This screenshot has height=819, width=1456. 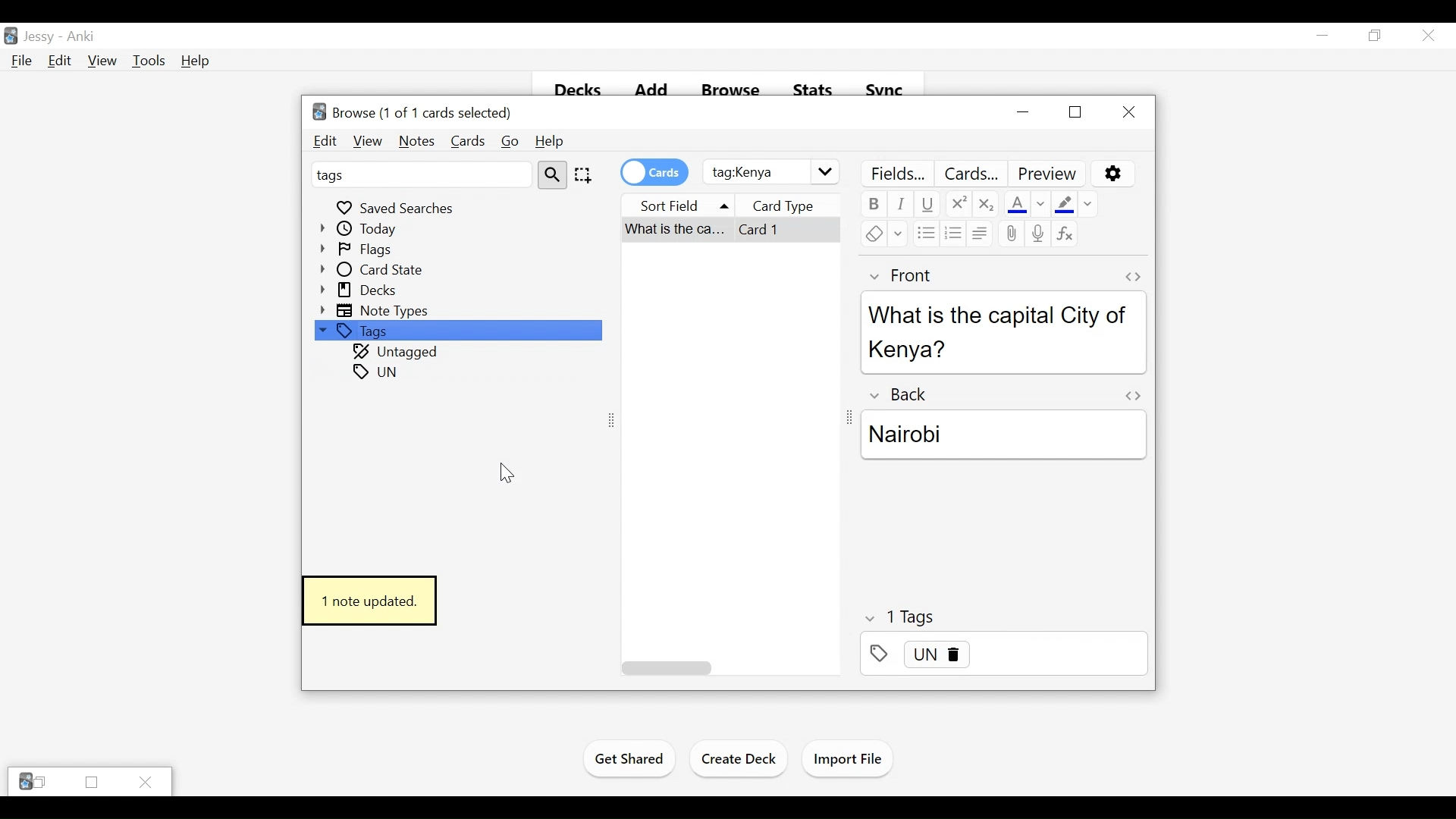 What do you see at coordinates (732, 231) in the screenshot?
I see `Selected Card` at bounding box center [732, 231].